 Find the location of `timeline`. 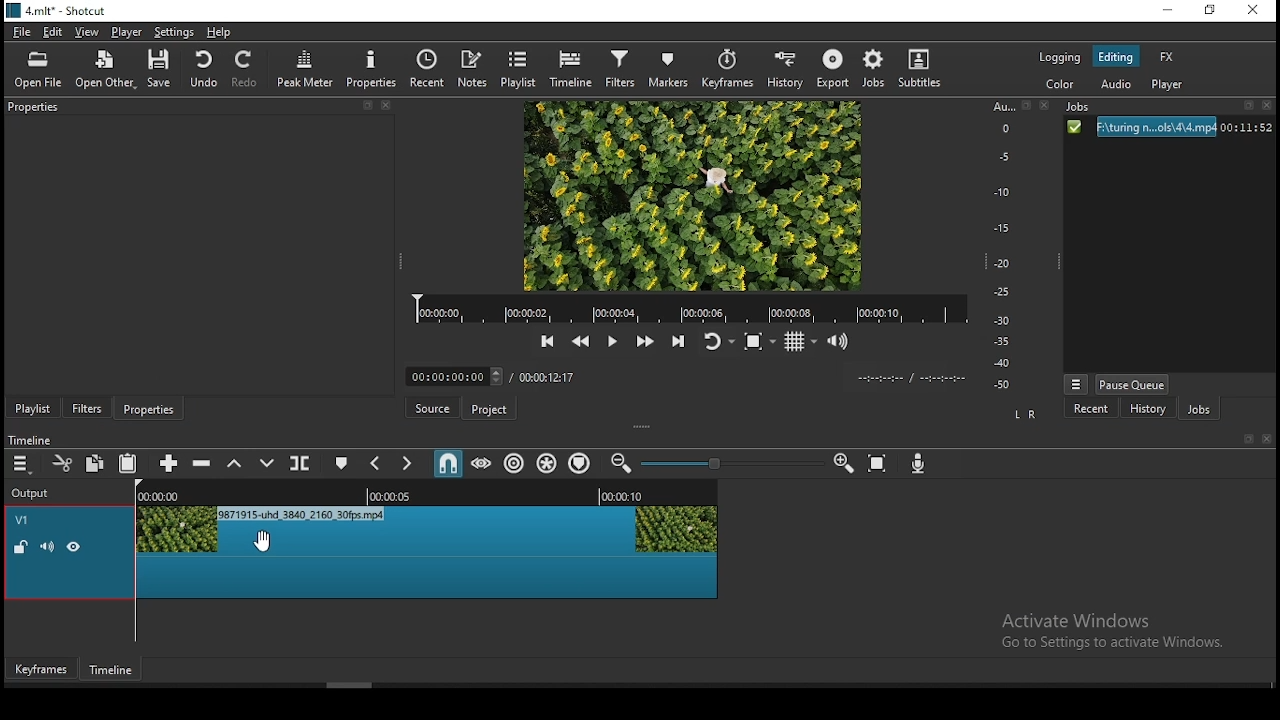

timeline is located at coordinates (112, 670).